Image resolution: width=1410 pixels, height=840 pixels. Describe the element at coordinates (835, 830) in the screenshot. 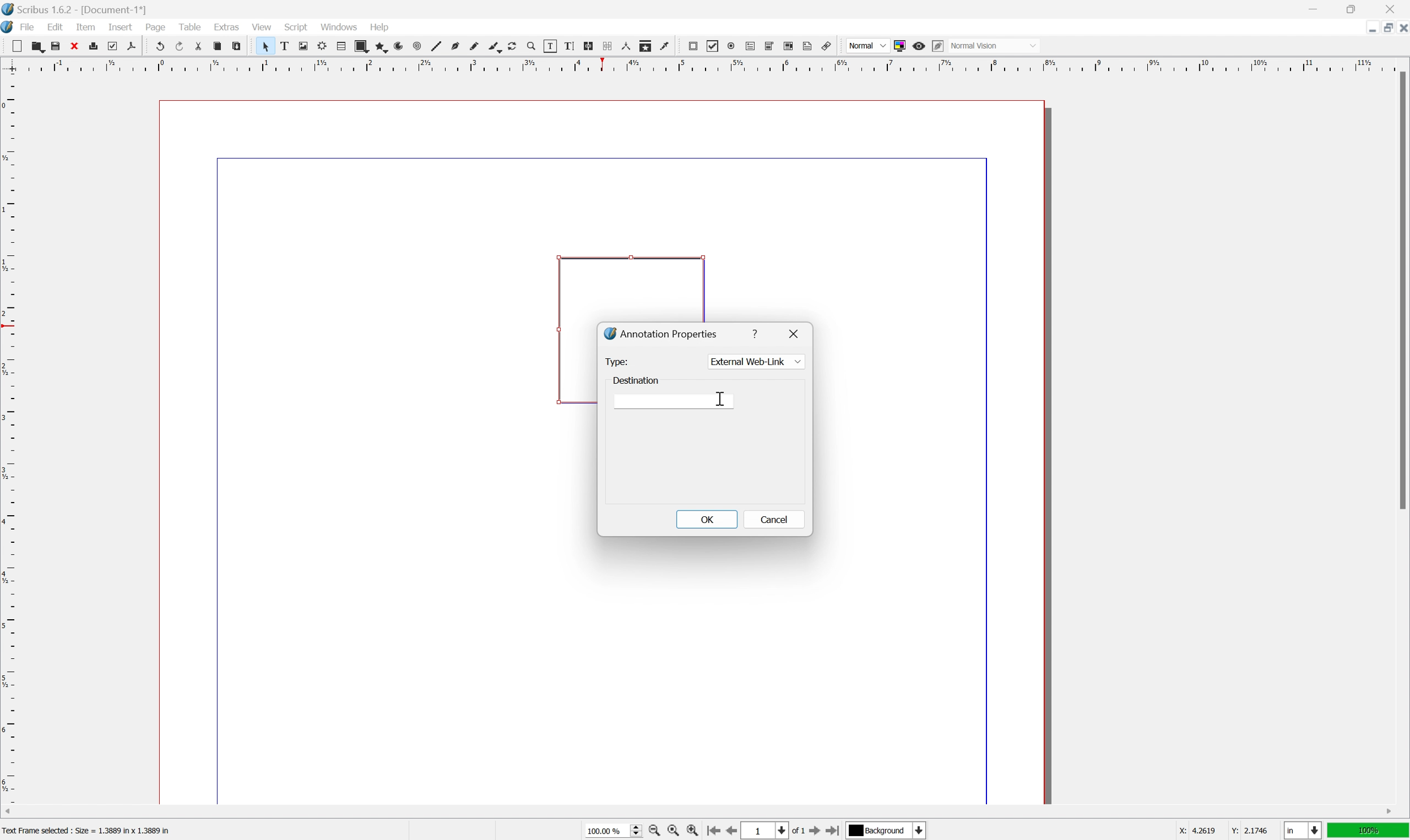

I see `go to last page` at that location.